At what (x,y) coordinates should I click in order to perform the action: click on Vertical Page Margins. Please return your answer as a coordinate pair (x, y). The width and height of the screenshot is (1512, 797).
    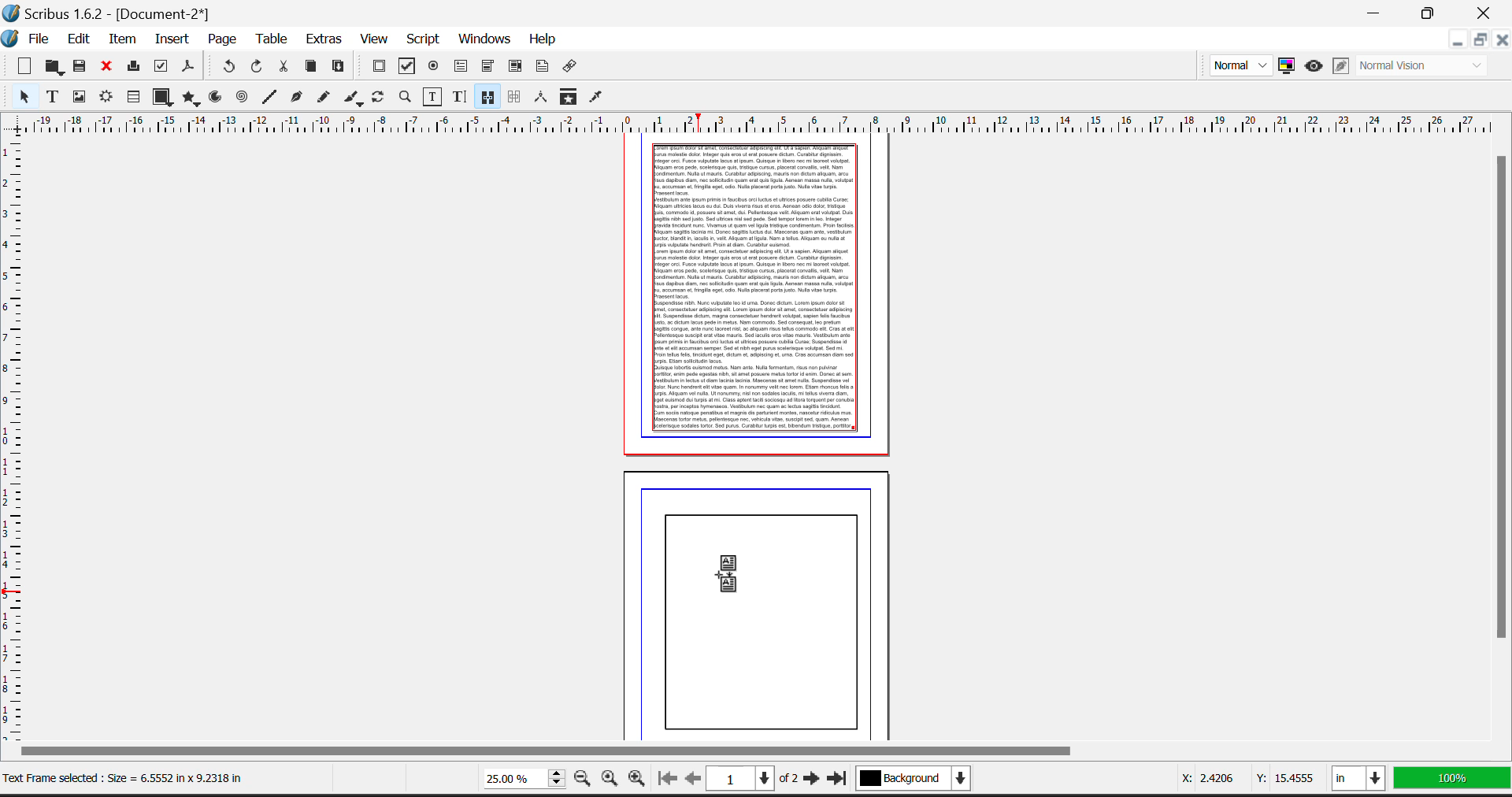
    Looking at the image, I should click on (762, 121).